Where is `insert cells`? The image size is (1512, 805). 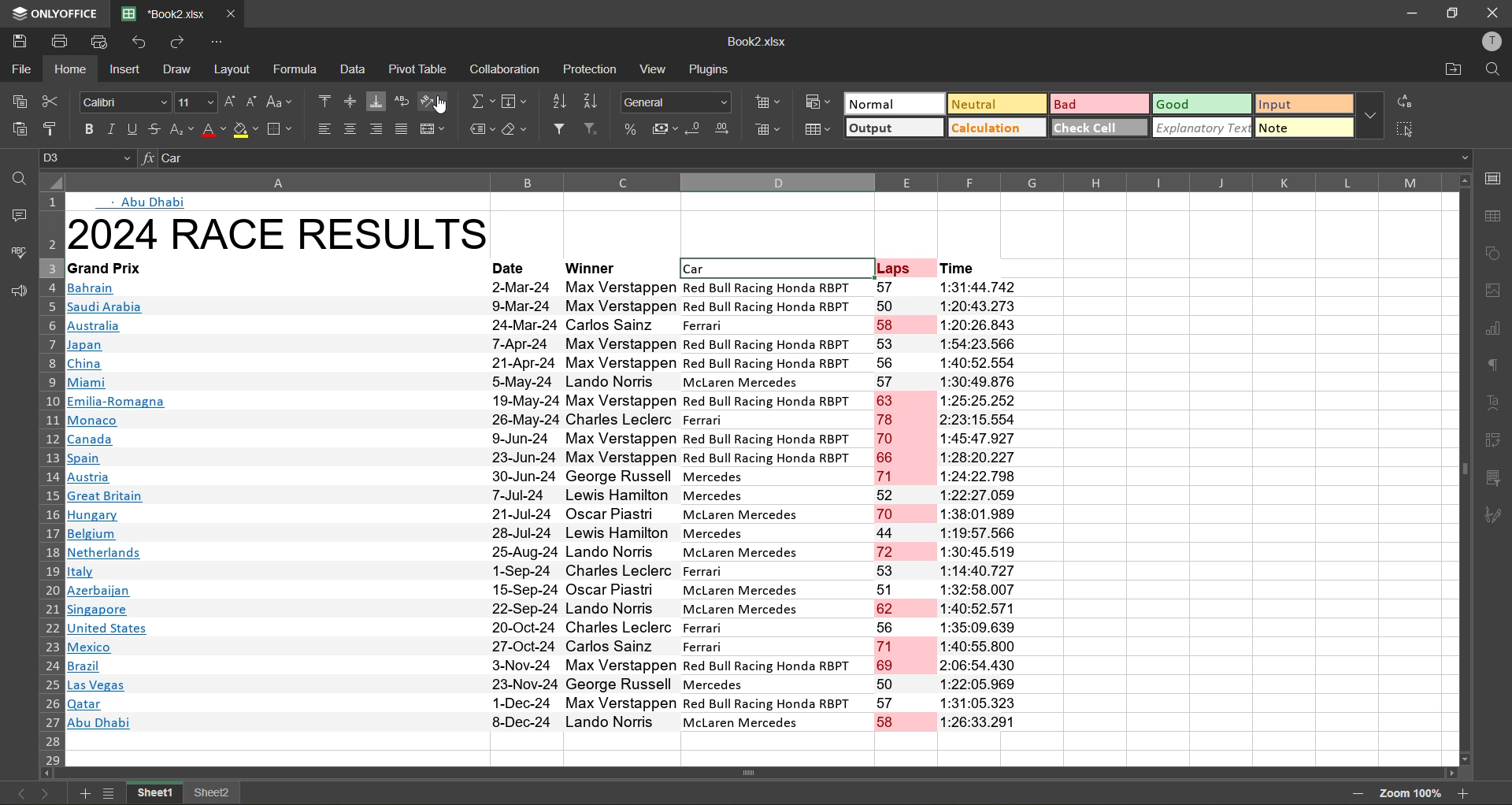
insert cells is located at coordinates (766, 103).